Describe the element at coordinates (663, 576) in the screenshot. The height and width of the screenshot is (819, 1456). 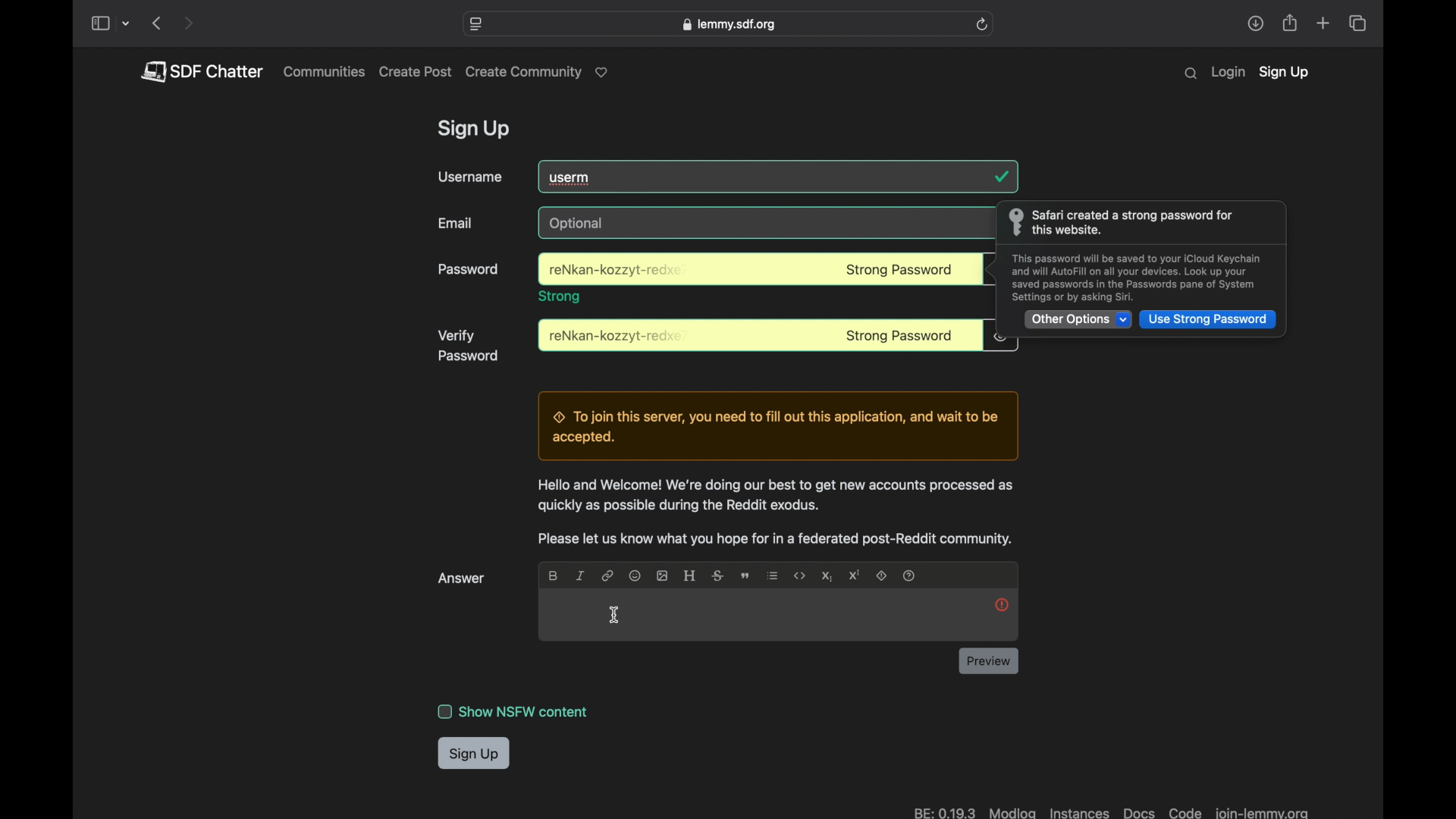
I see `image` at that location.